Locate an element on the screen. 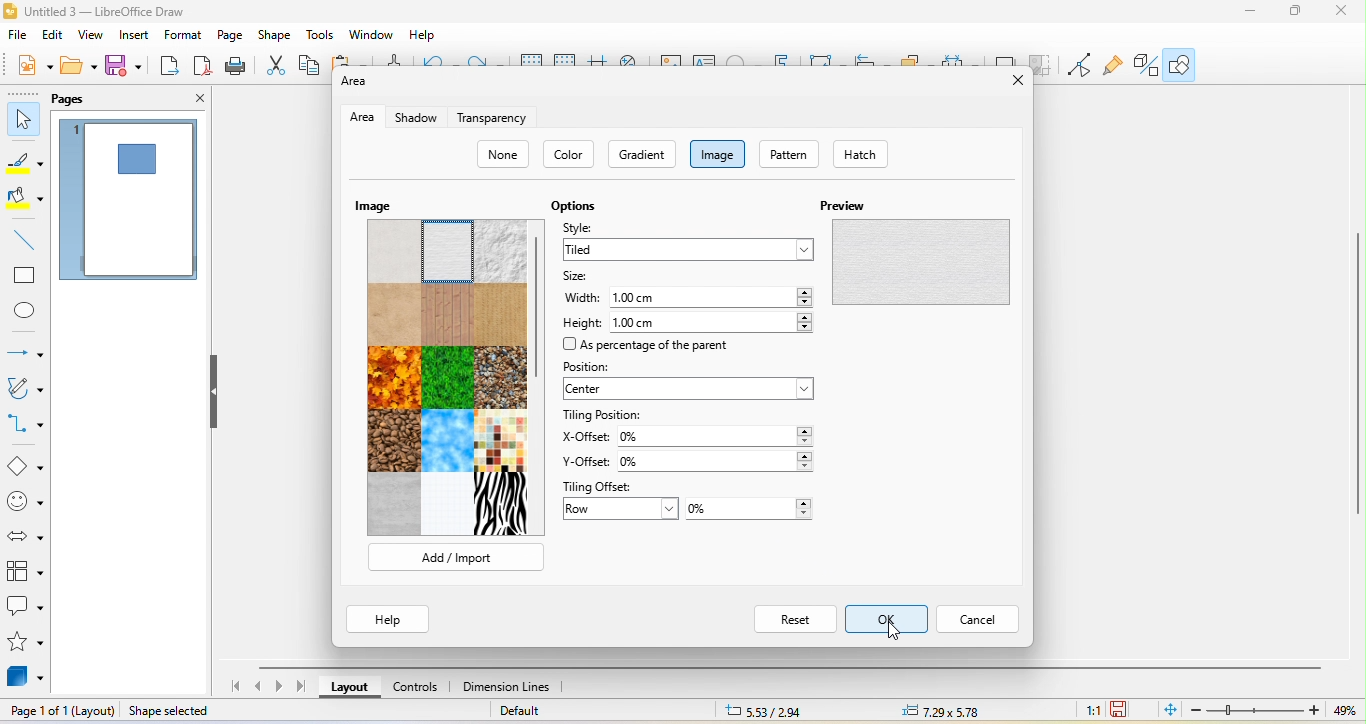  image is located at coordinates (672, 62).